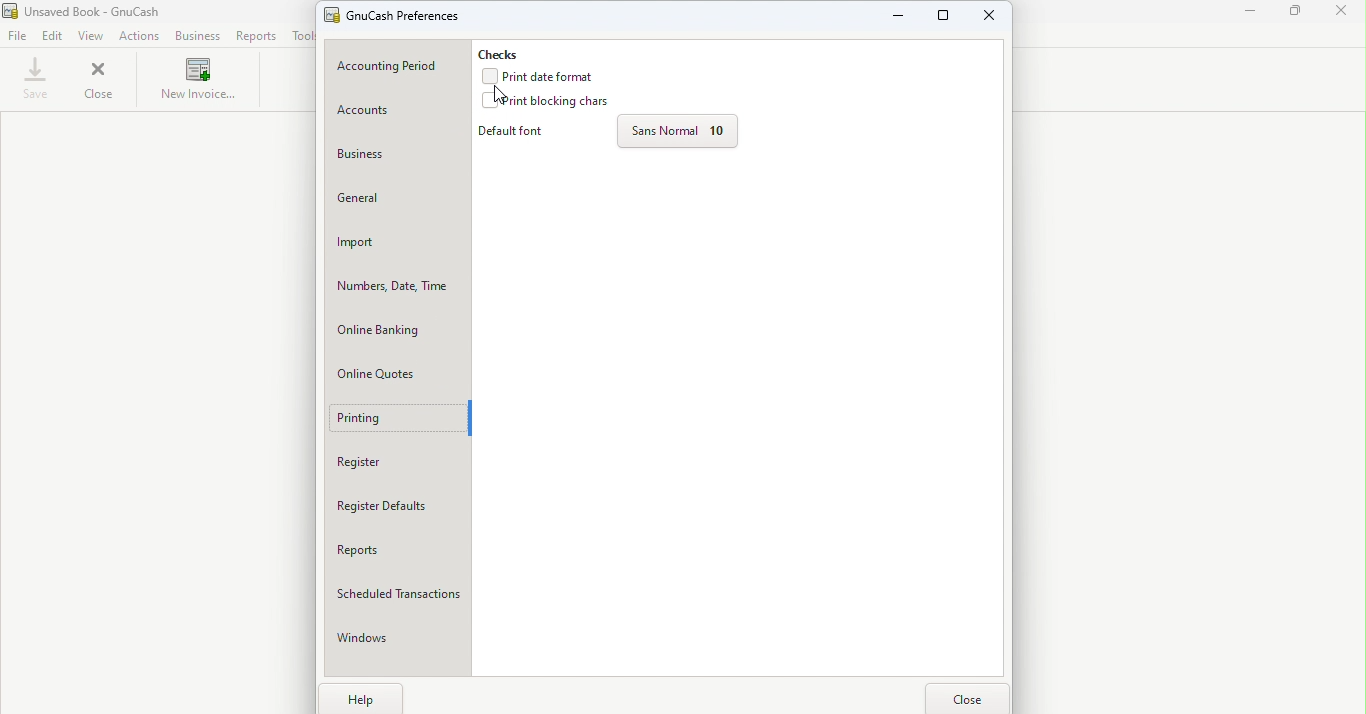 Image resolution: width=1366 pixels, height=714 pixels. Describe the element at coordinates (405, 15) in the screenshot. I see `GnuCash prreferences` at that location.